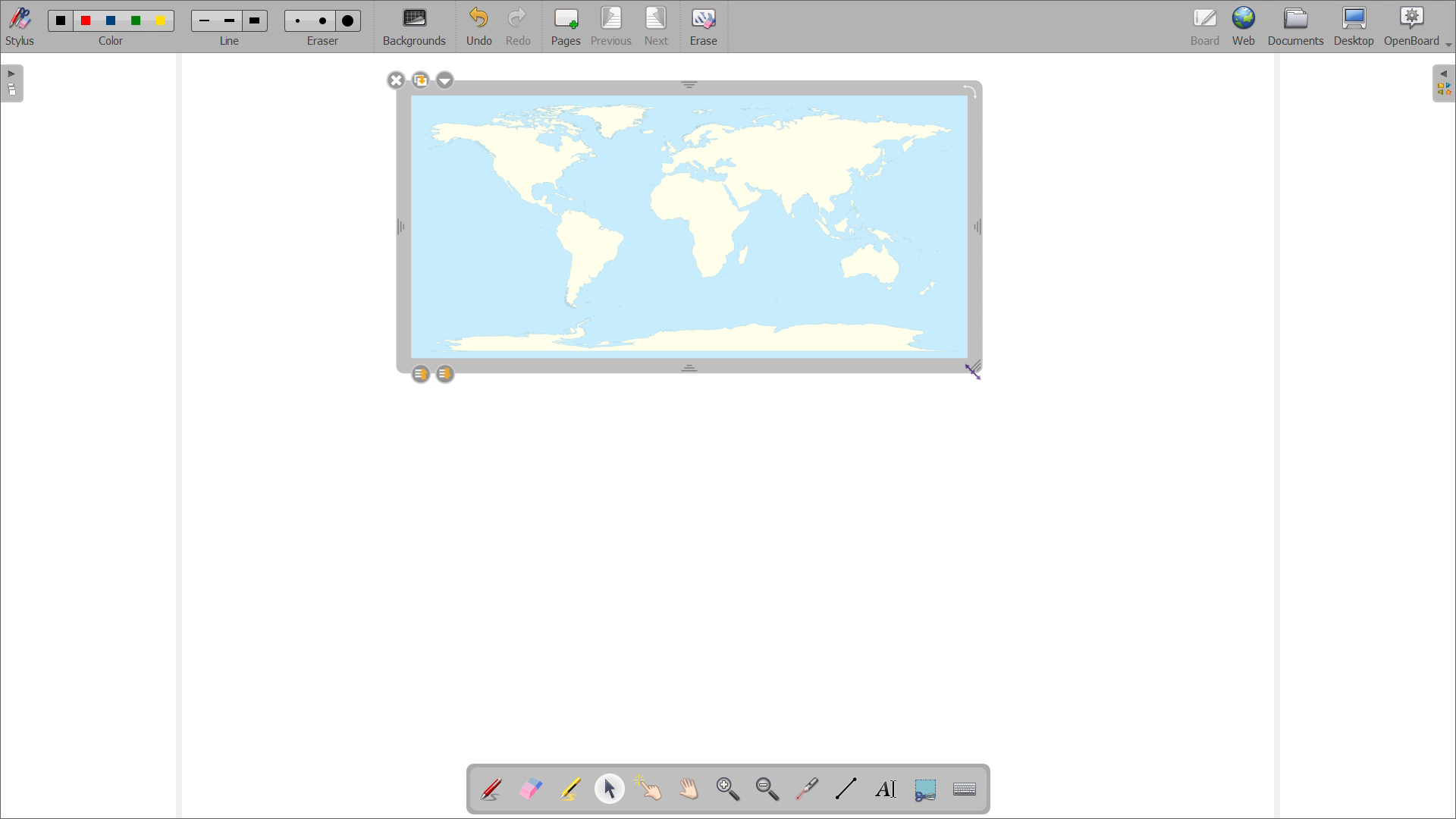 This screenshot has width=1456, height=819. What do you see at coordinates (689, 229) in the screenshot?
I see `image` at bounding box center [689, 229].